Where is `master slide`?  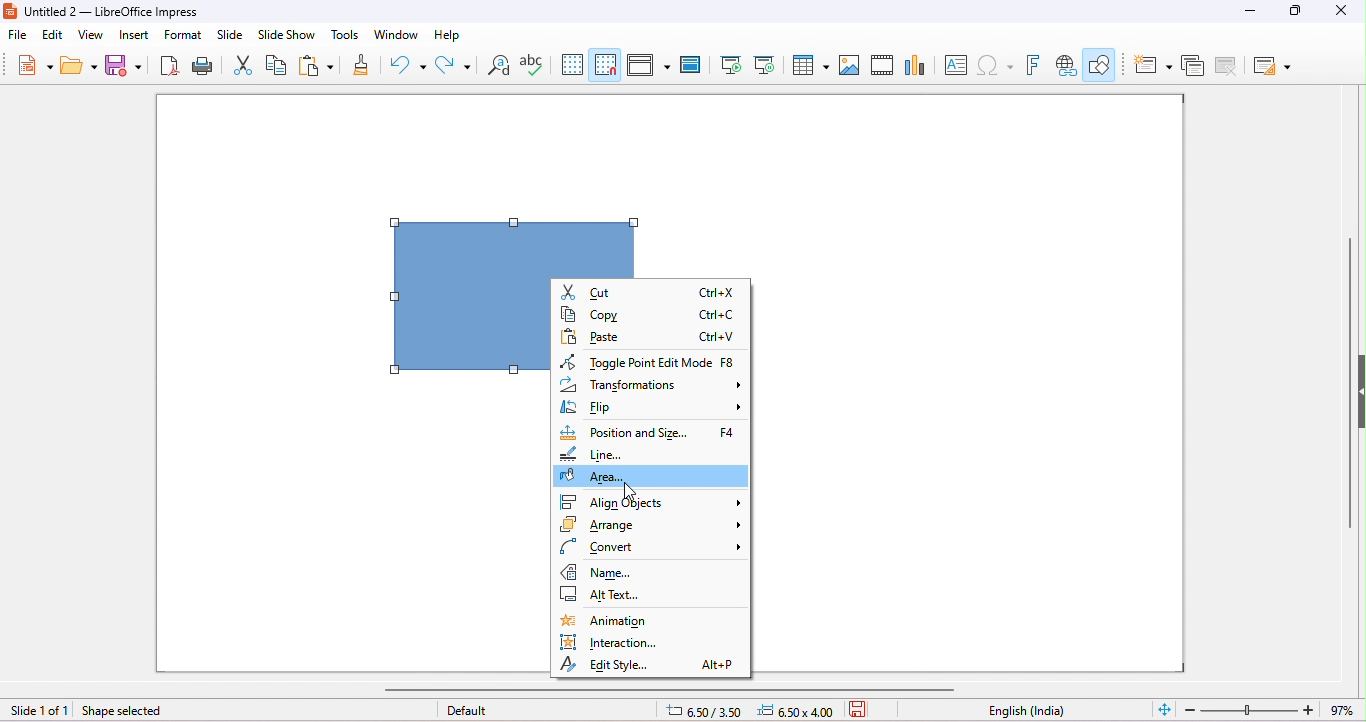
master slide is located at coordinates (690, 64).